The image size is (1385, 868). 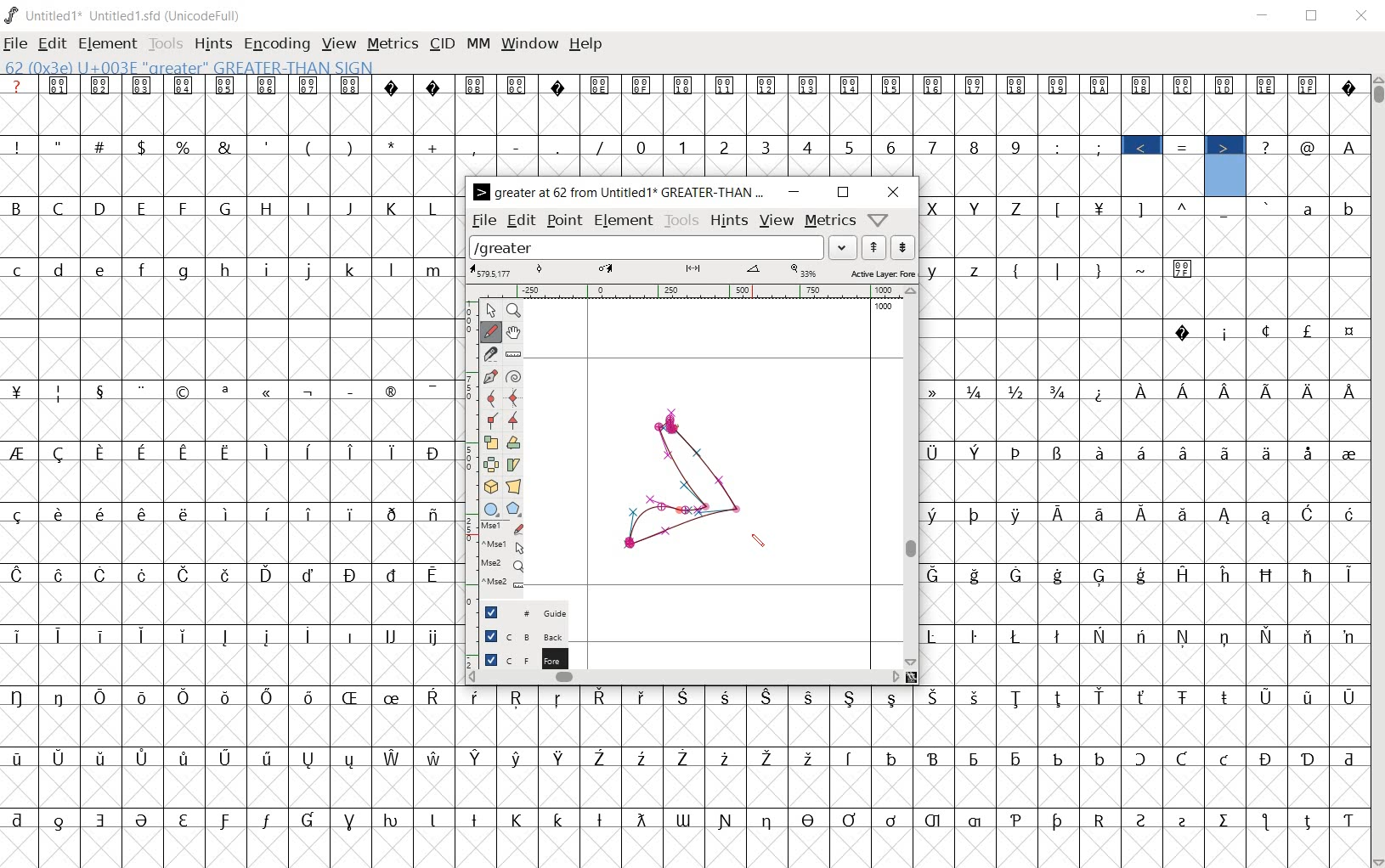 What do you see at coordinates (730, 222) in the screenshot?
I see `hints` at bounding box center [730, 222].